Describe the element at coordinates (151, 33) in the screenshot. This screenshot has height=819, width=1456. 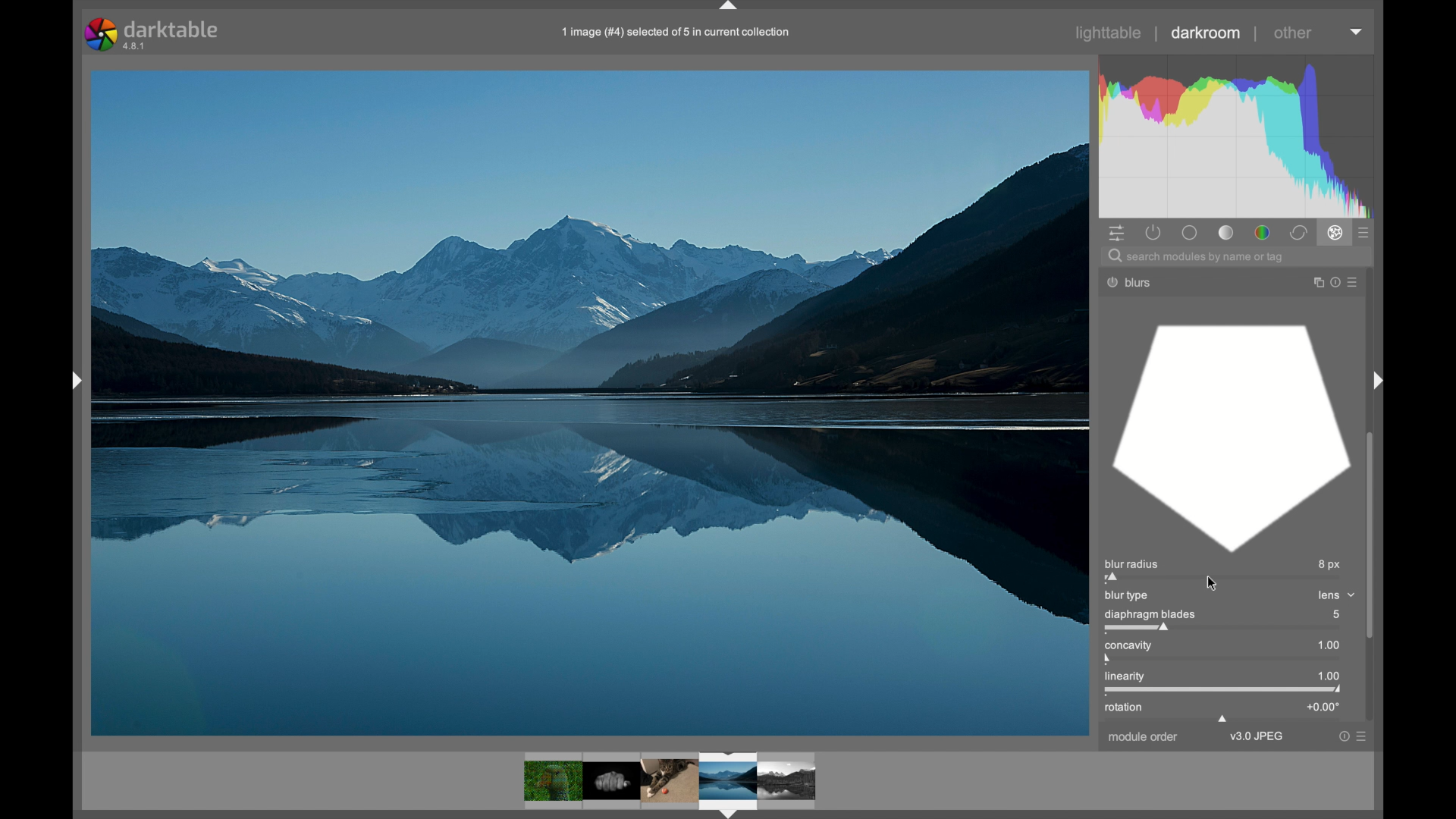
I see `darktable` at that location.